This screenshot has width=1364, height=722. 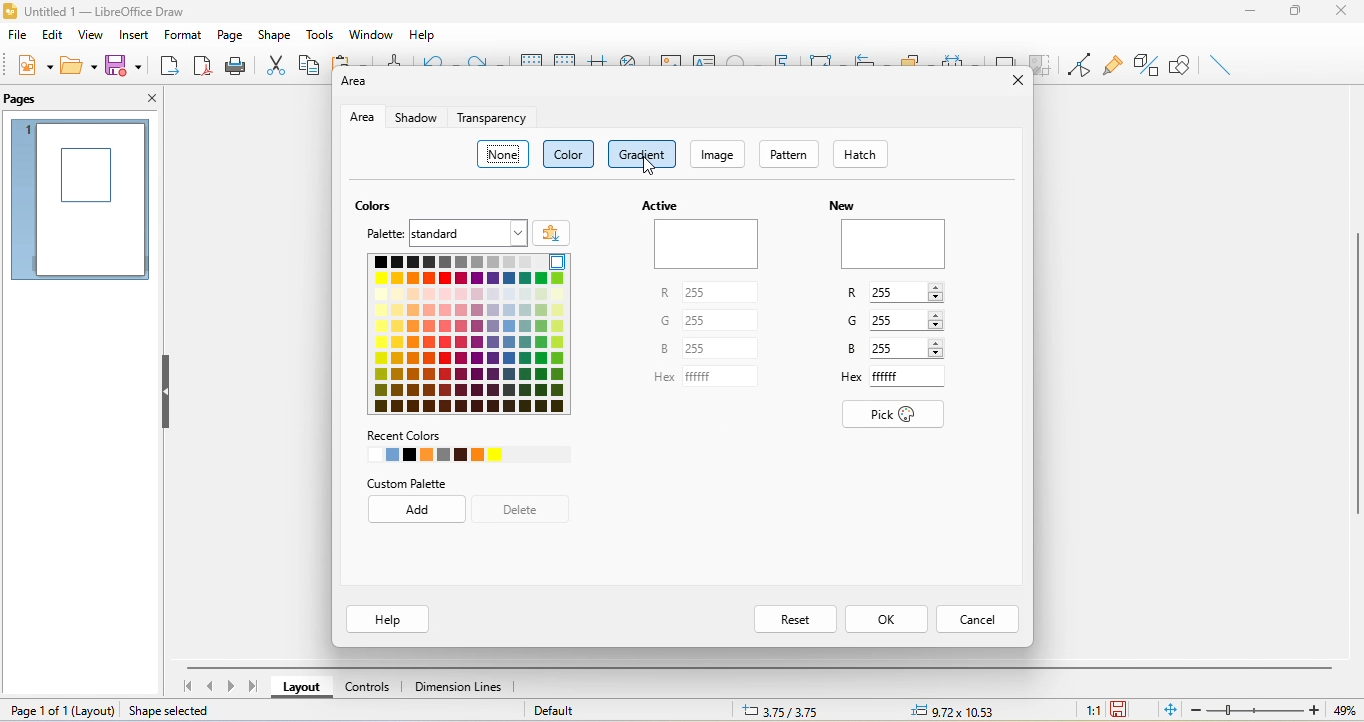 I want to click on ffffff, so click(x=913, y=377).